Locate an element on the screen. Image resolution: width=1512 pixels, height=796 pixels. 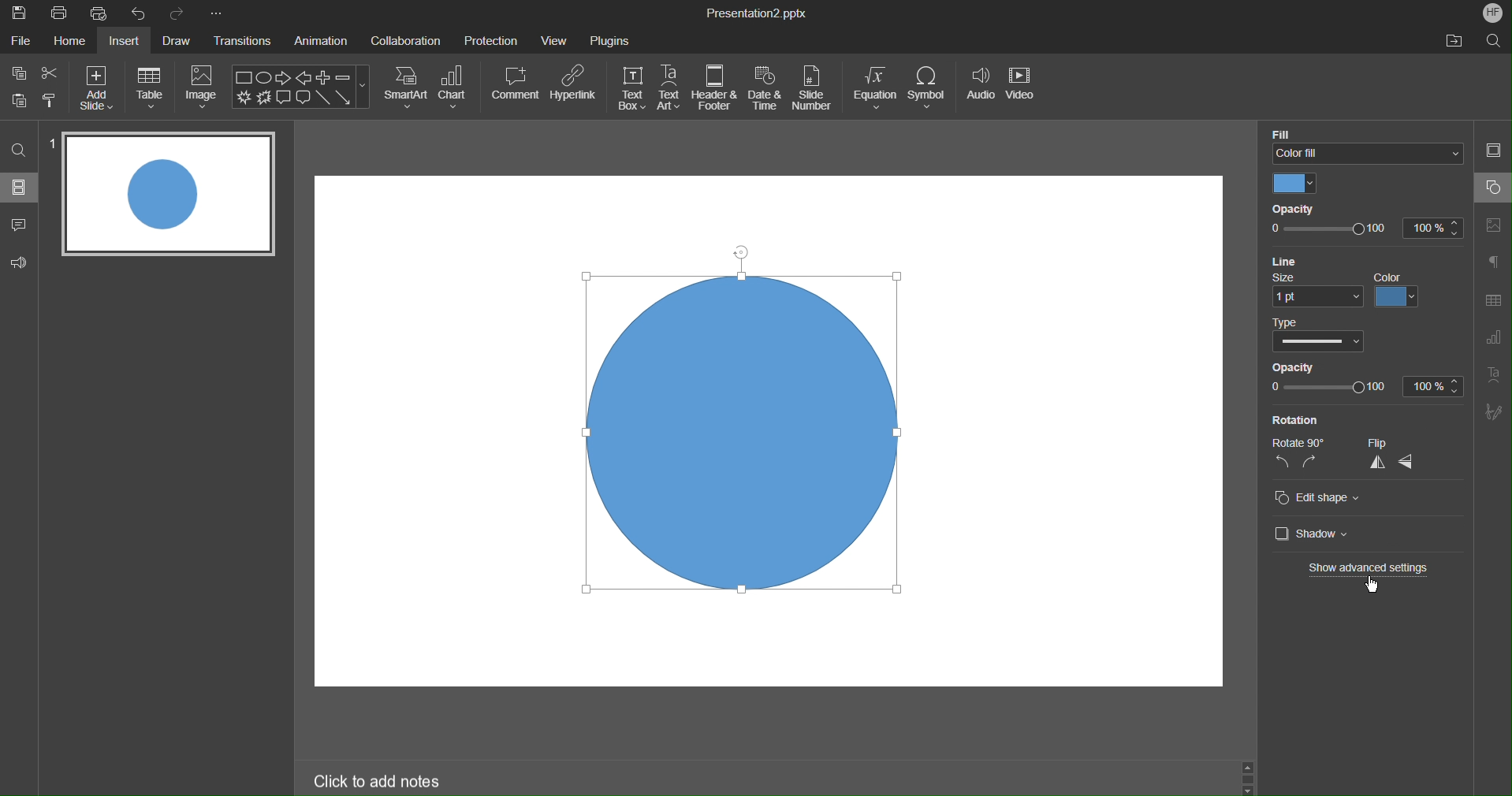
100% is located at coordinates (1430, 229).